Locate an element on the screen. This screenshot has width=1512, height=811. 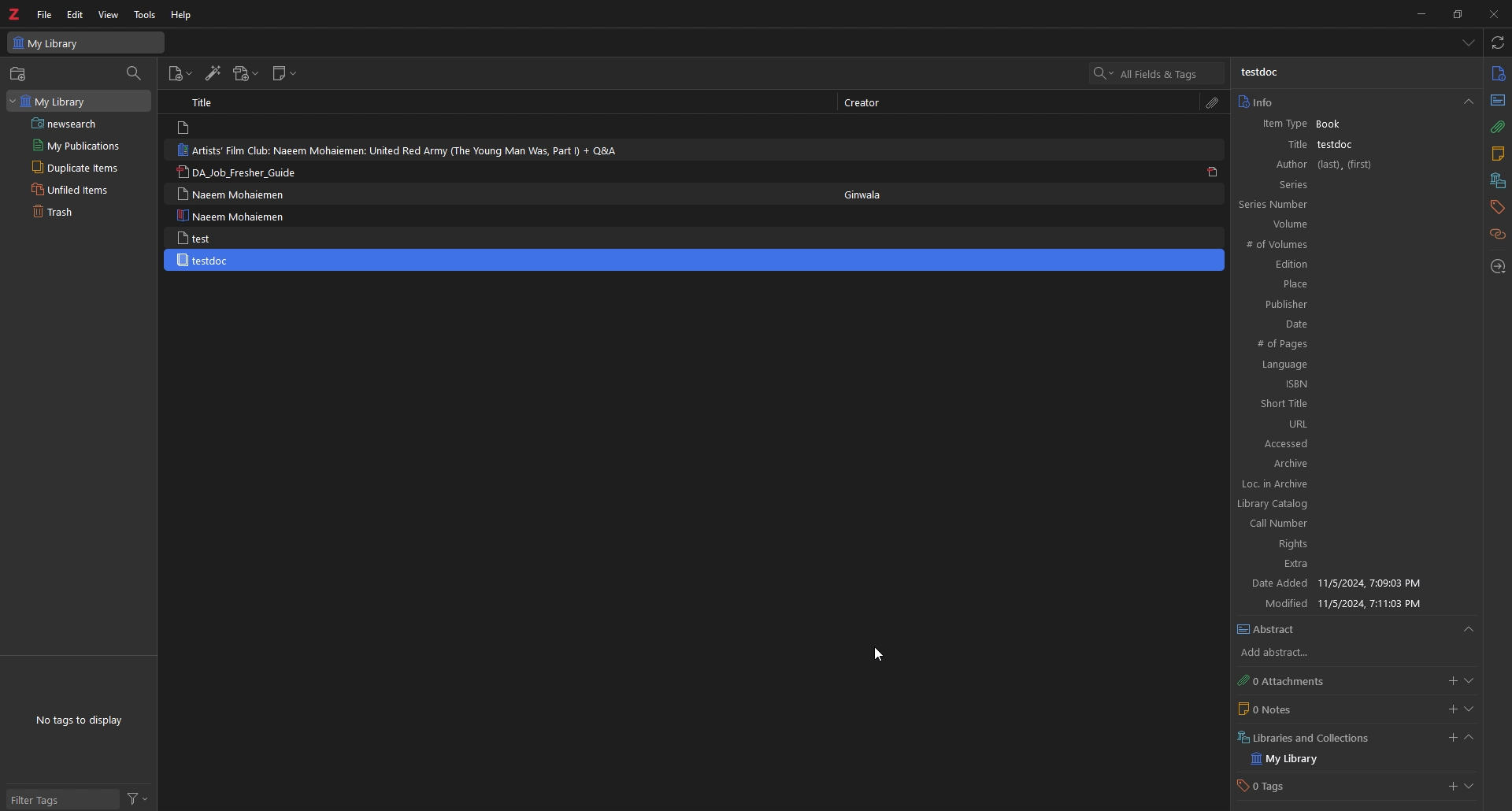
my library is located at coordinates (1299, 759).